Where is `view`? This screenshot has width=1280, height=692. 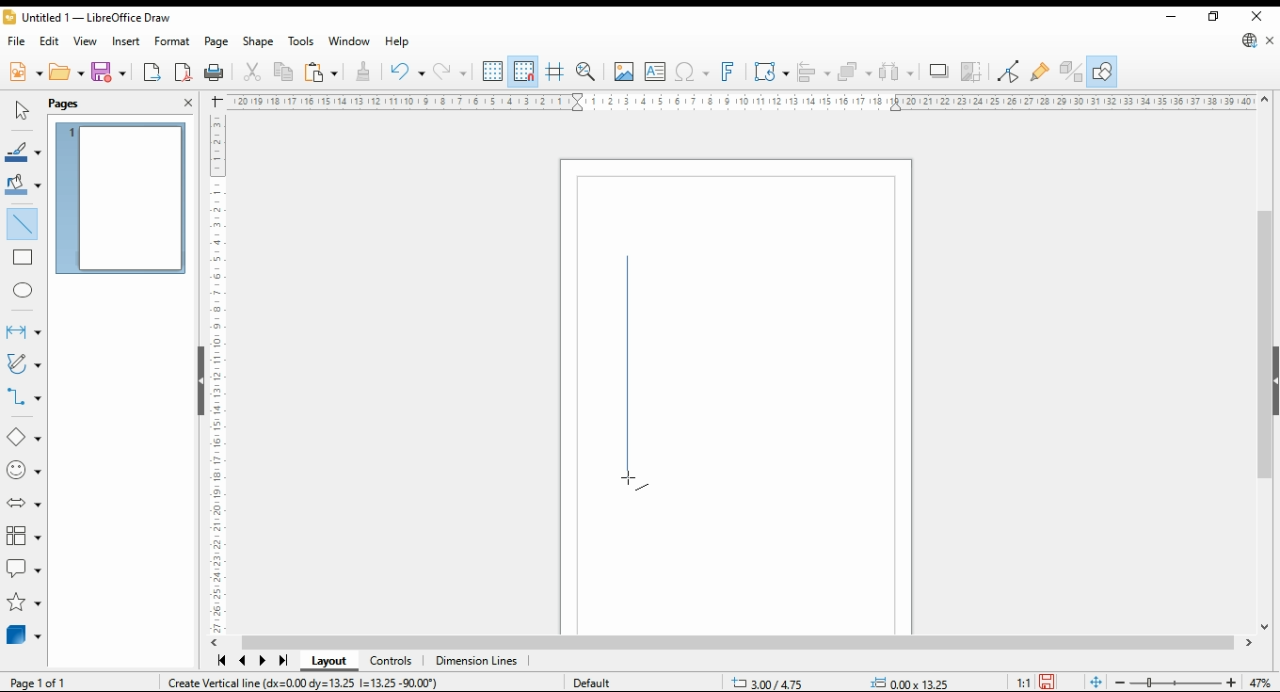
view is located at coordinates (86, 41).